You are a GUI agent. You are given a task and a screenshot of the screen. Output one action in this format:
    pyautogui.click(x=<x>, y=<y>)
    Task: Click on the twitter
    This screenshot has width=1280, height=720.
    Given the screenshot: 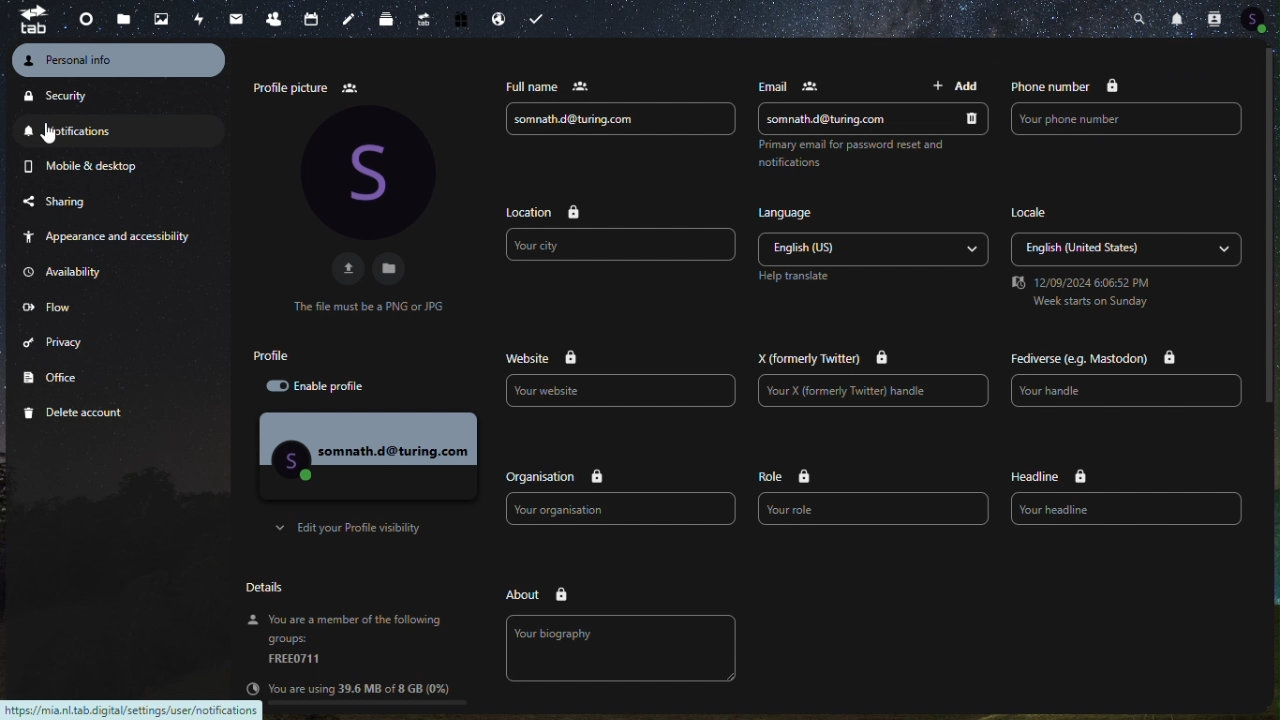 What is the action you would take?
    pyautogui.click(x=830, y=360)
    